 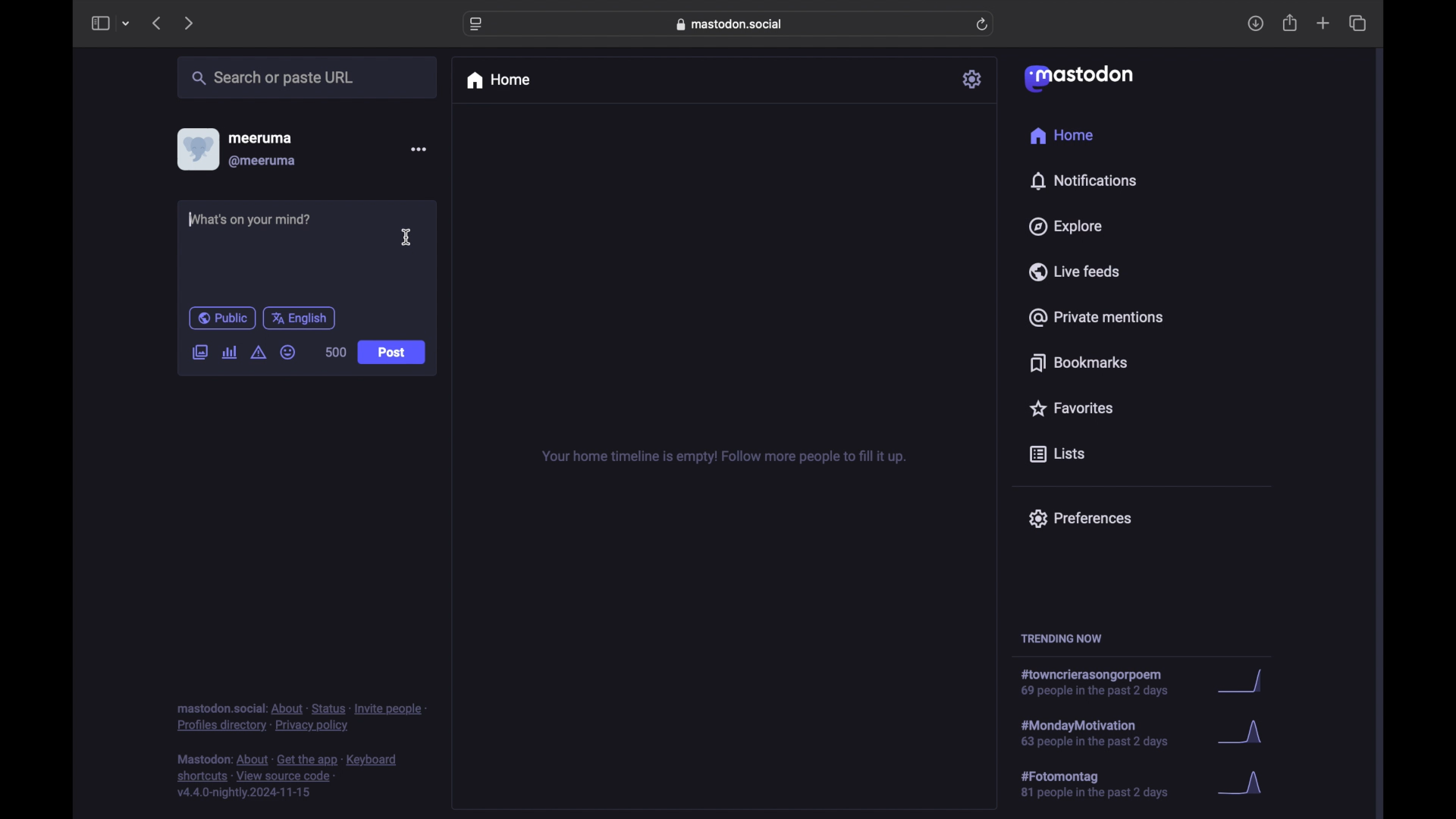 I want to click on hashtag trend, so click(x=1105, y=785).